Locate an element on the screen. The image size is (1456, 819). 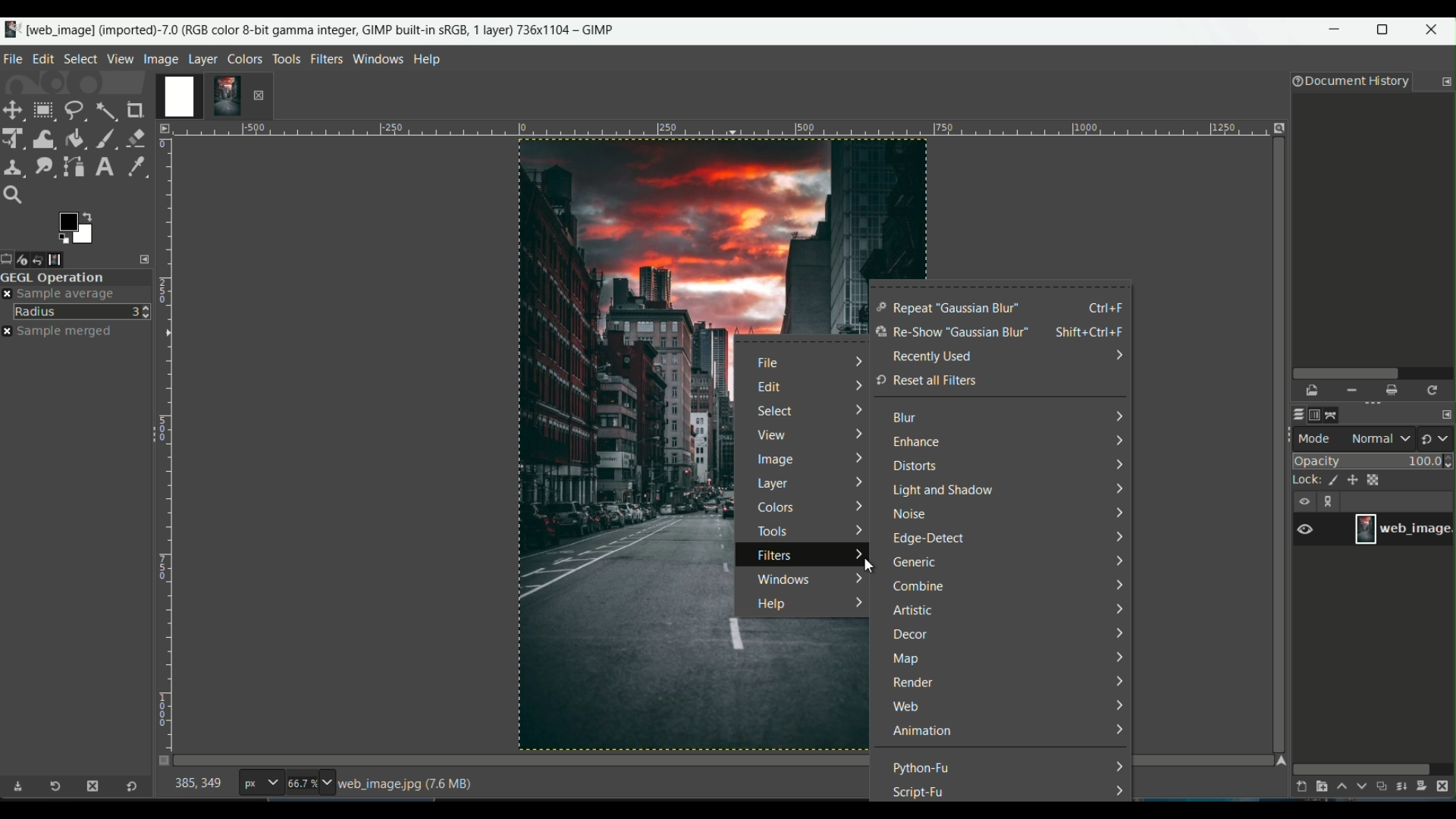
distorts is located at coordinates (913, 466).